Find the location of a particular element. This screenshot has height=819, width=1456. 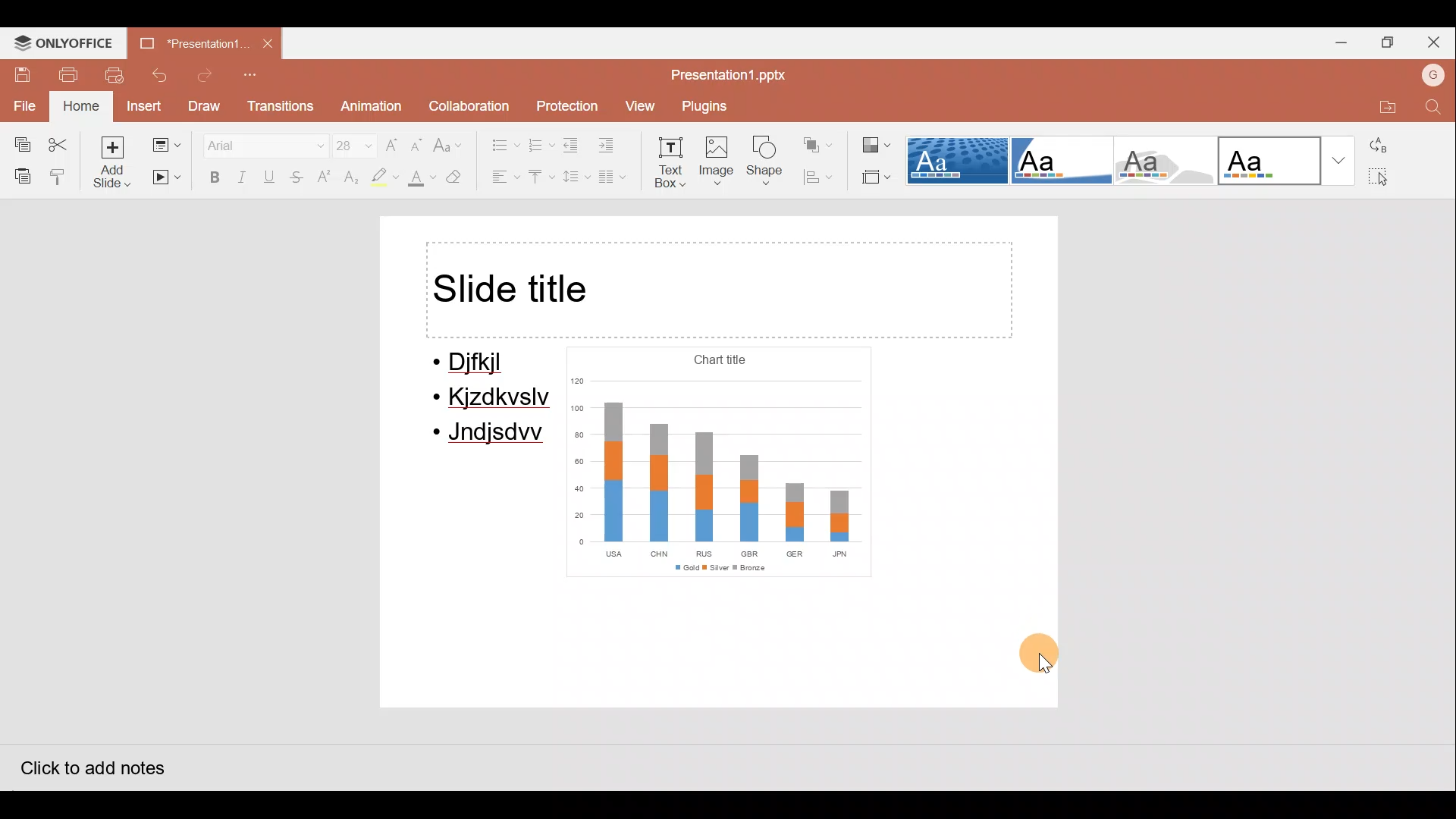

Undo is located at coordinates (159, 74).